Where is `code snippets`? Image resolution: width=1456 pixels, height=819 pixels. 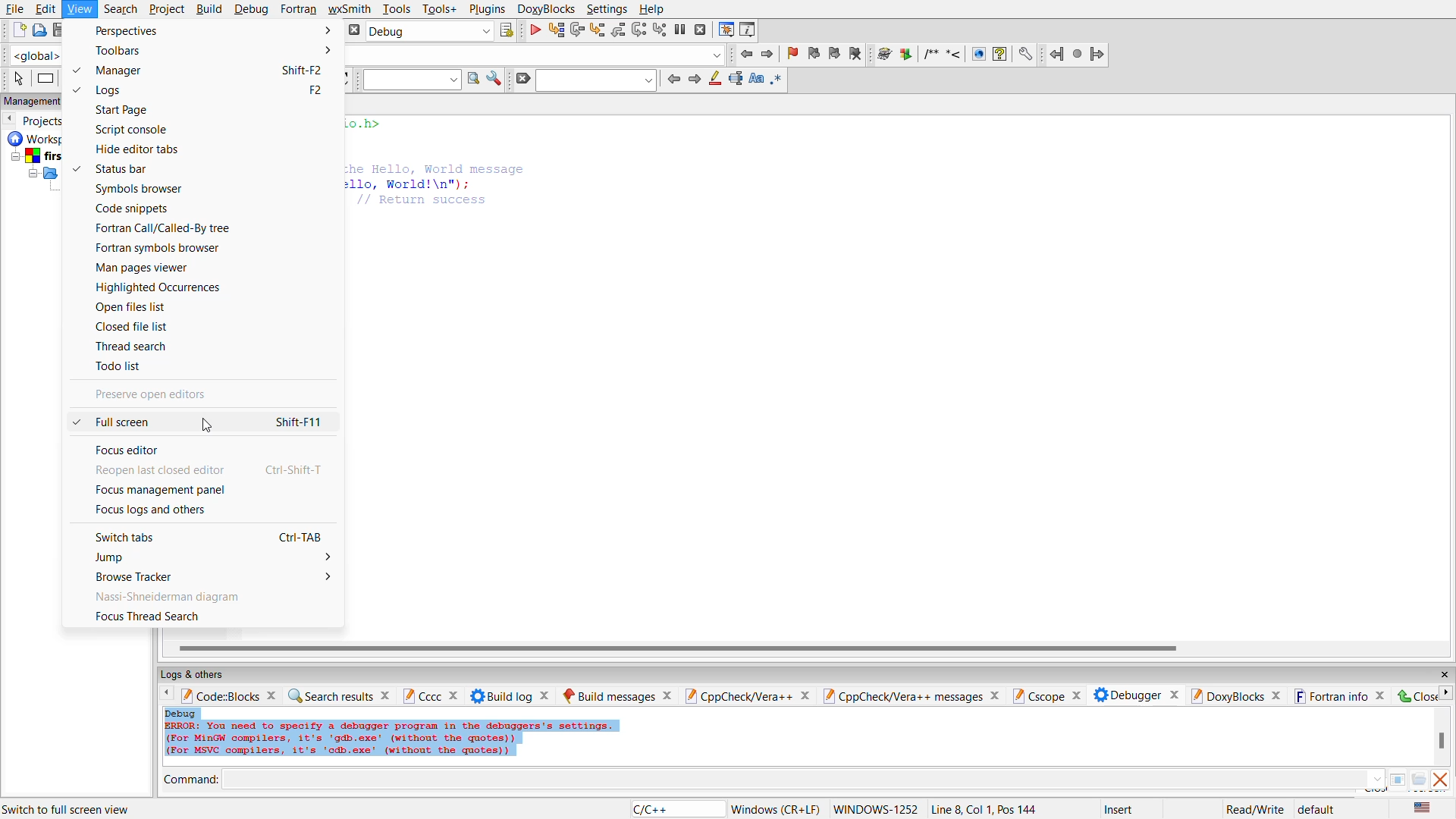
code snippets is located at coordinates (142, 208).